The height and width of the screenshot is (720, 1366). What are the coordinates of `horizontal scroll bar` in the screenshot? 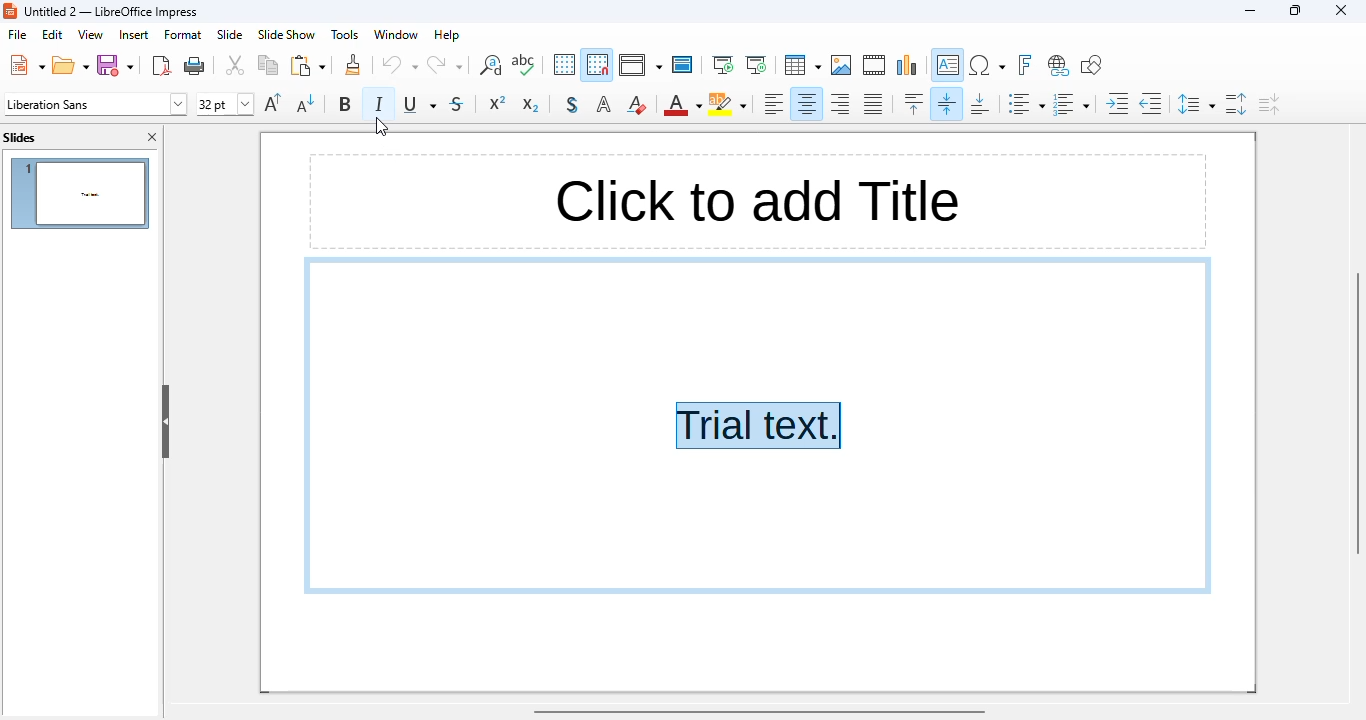 It's located at (760, 712).